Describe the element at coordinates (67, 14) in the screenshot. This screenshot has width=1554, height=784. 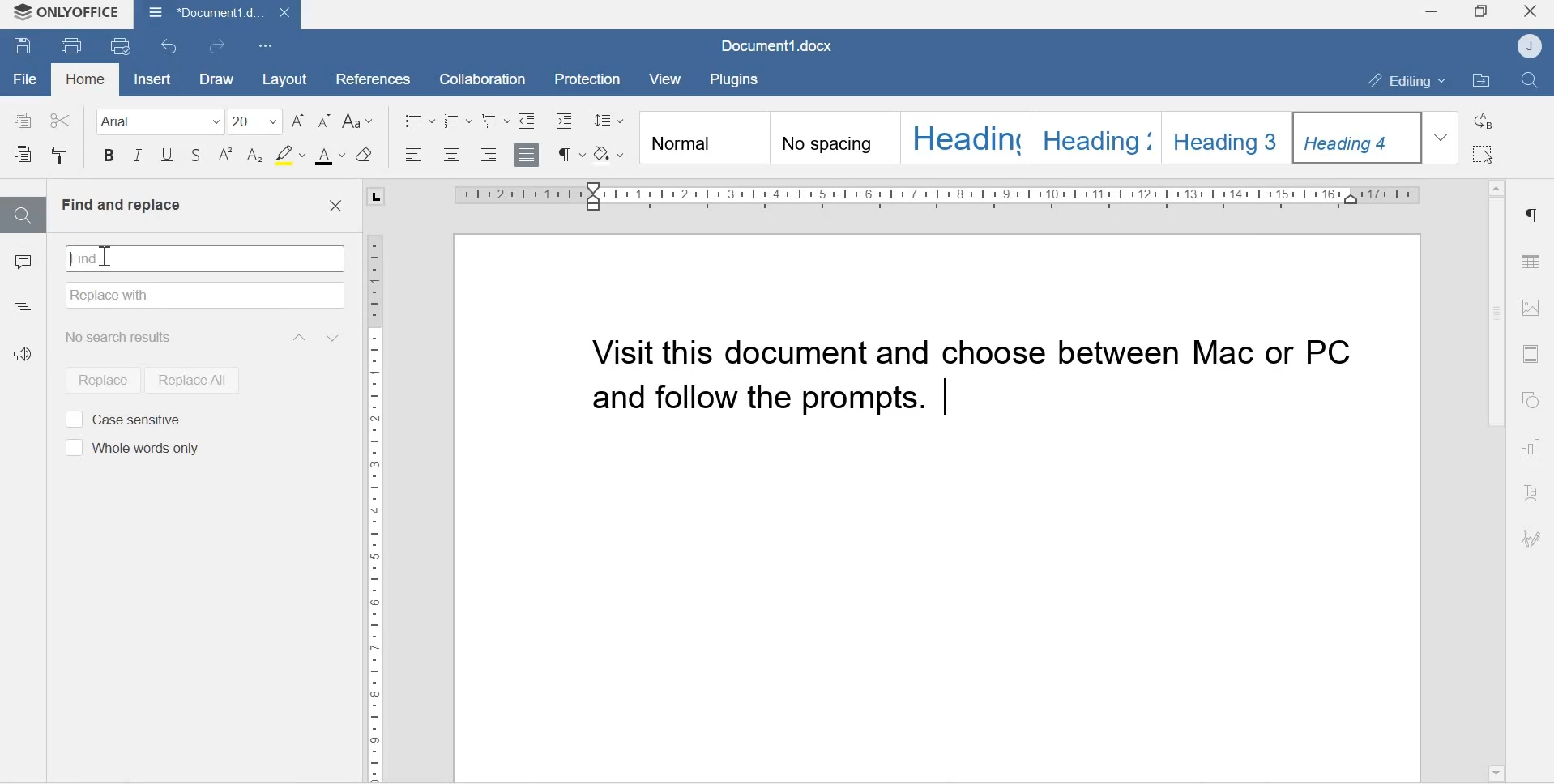
I see `Onlyoffice` at that location.